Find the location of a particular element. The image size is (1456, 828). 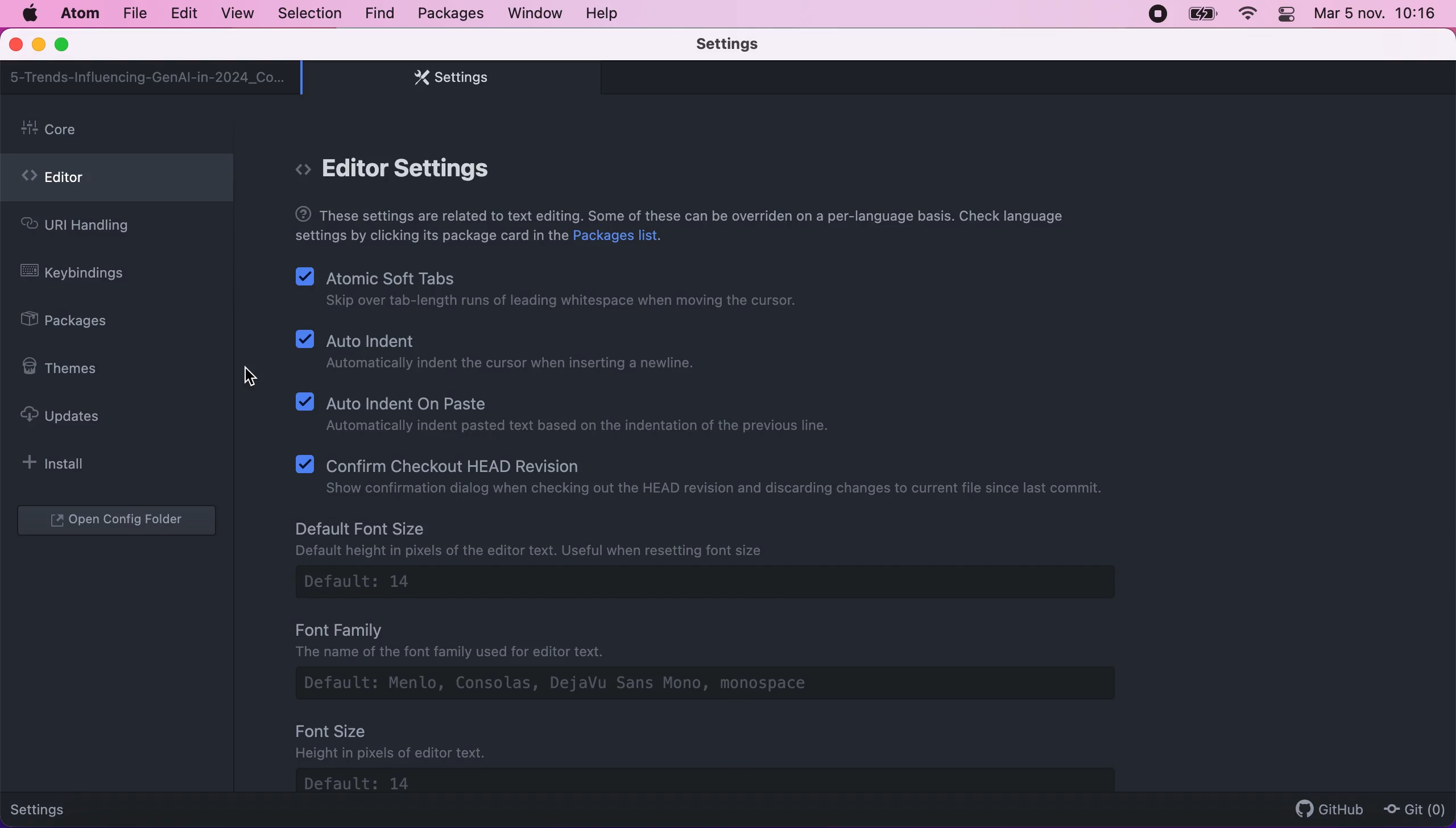

view is located at coordinates (234, 14).